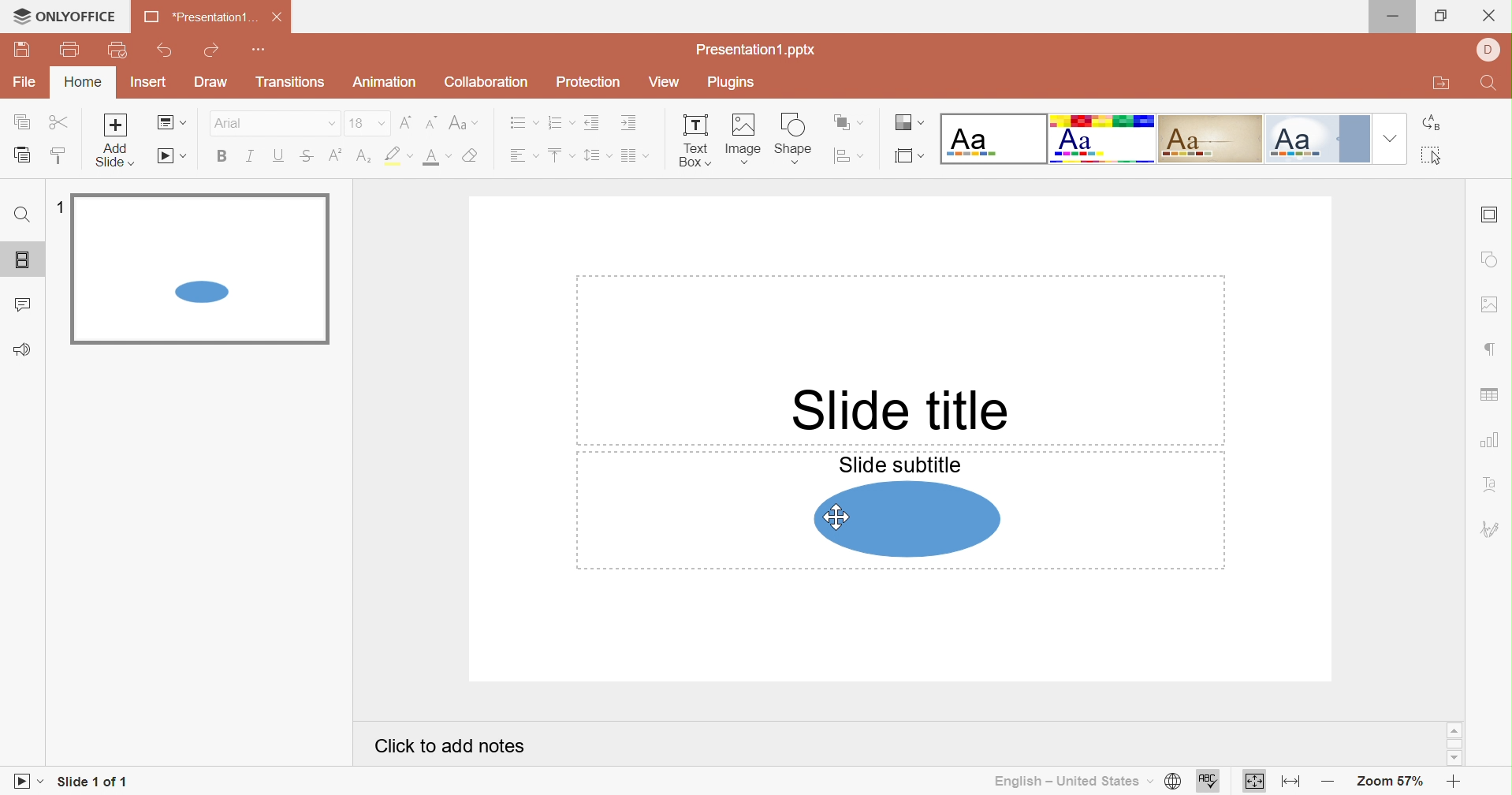  I want to click on Classic, so click(1211, 139).